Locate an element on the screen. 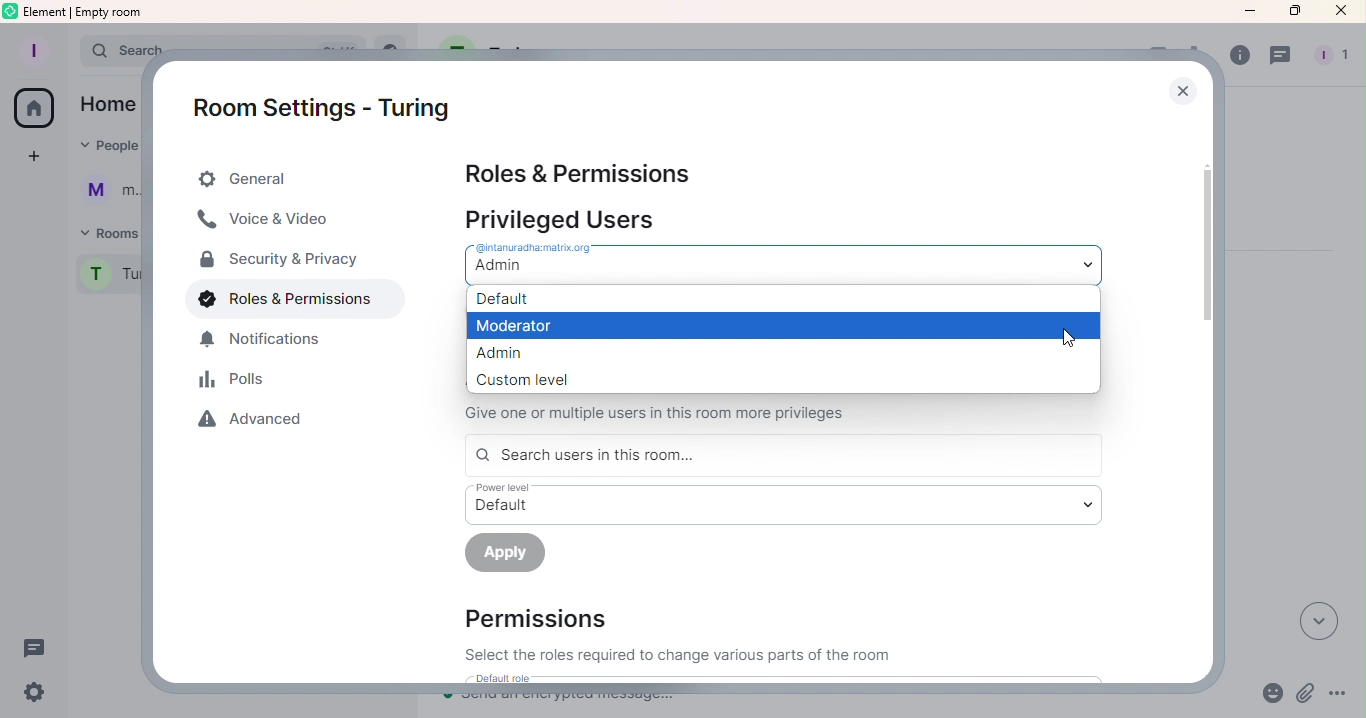  Polls is located at coordinates (237, 382).